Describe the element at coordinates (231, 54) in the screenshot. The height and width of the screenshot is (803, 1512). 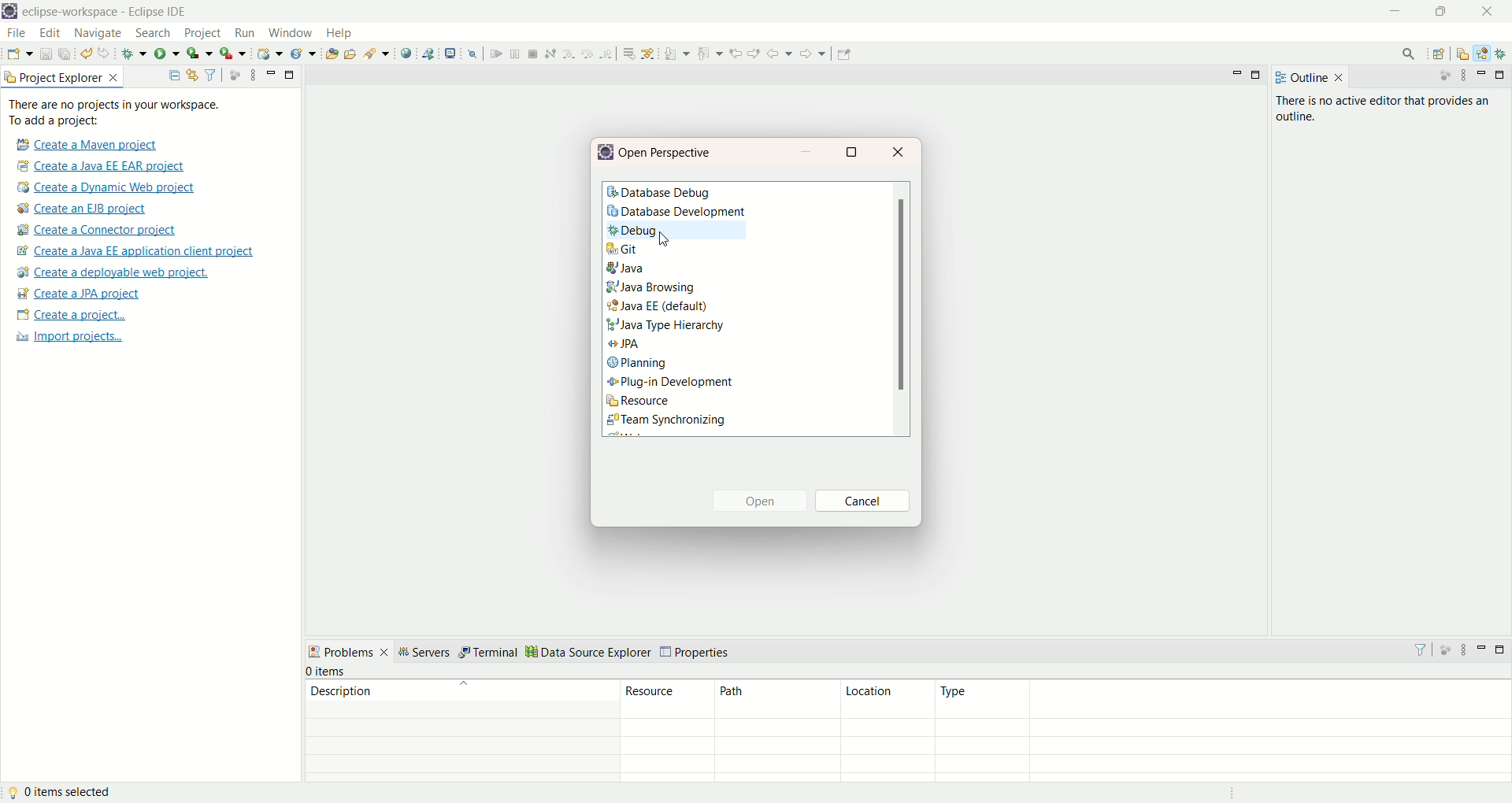
I see `run last tool` at that location.